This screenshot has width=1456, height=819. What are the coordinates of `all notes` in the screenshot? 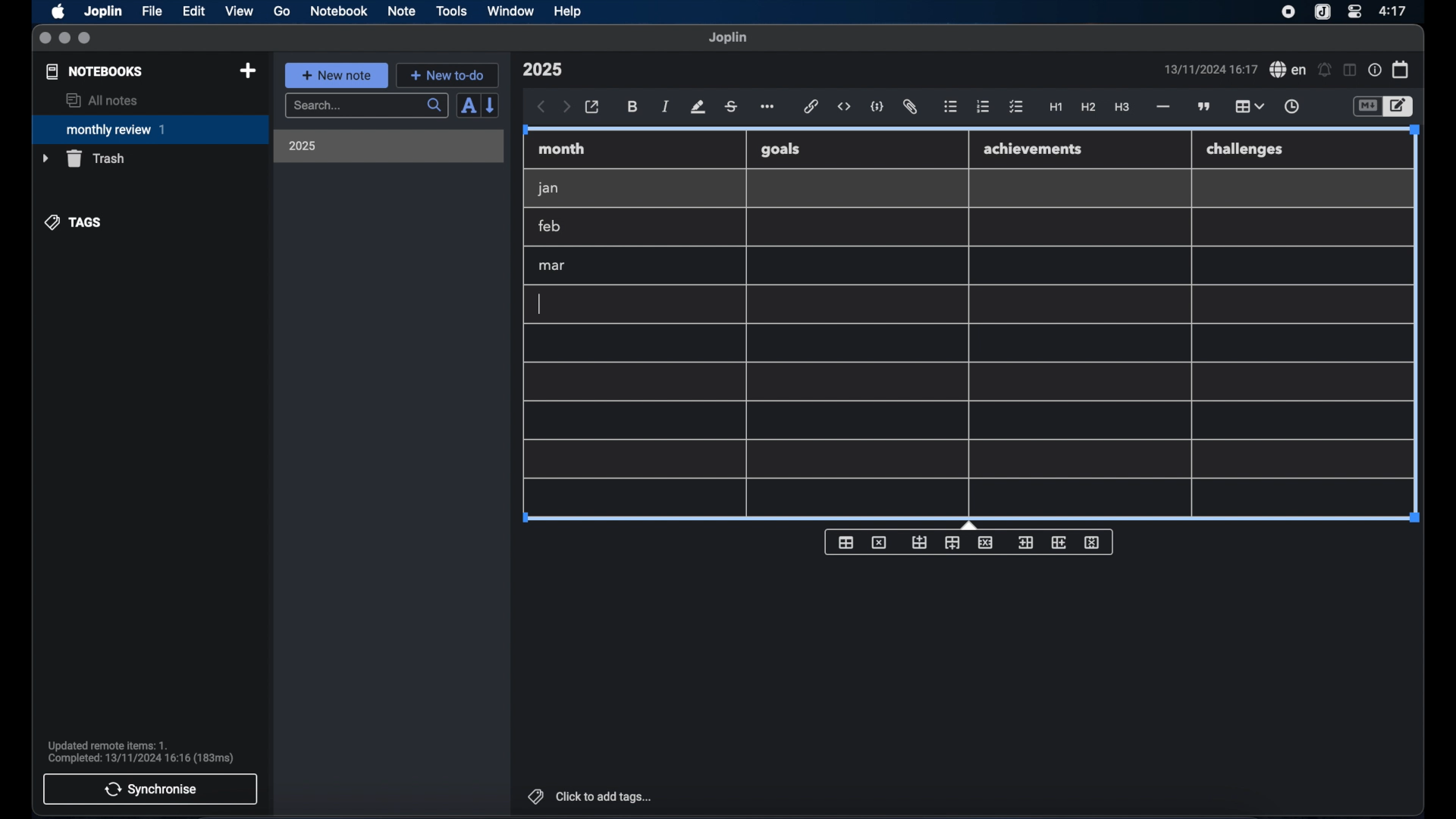 It's located at (102, 100).